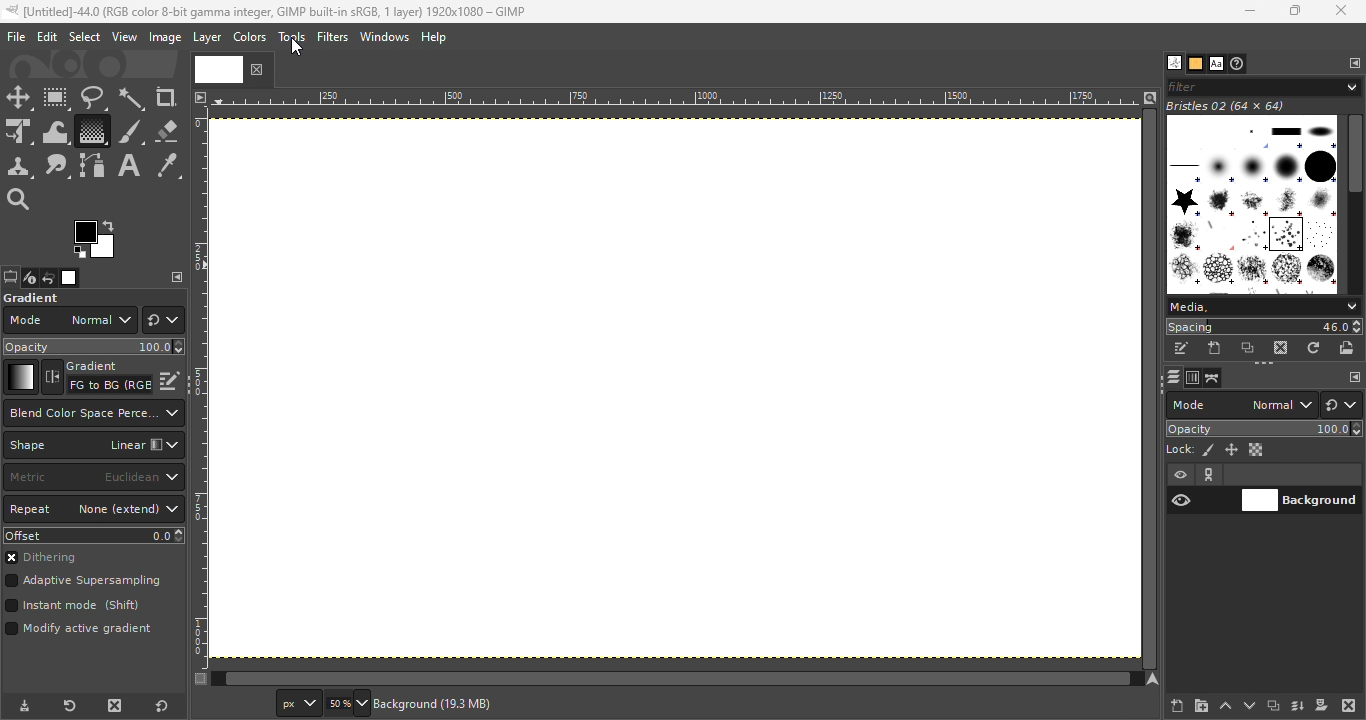 The width and height of the screenshot is (1366, 720). What do you see at coordinates (92, 97) in the screenshot?
I see `Free select tool` at bounding box center [92, 97].